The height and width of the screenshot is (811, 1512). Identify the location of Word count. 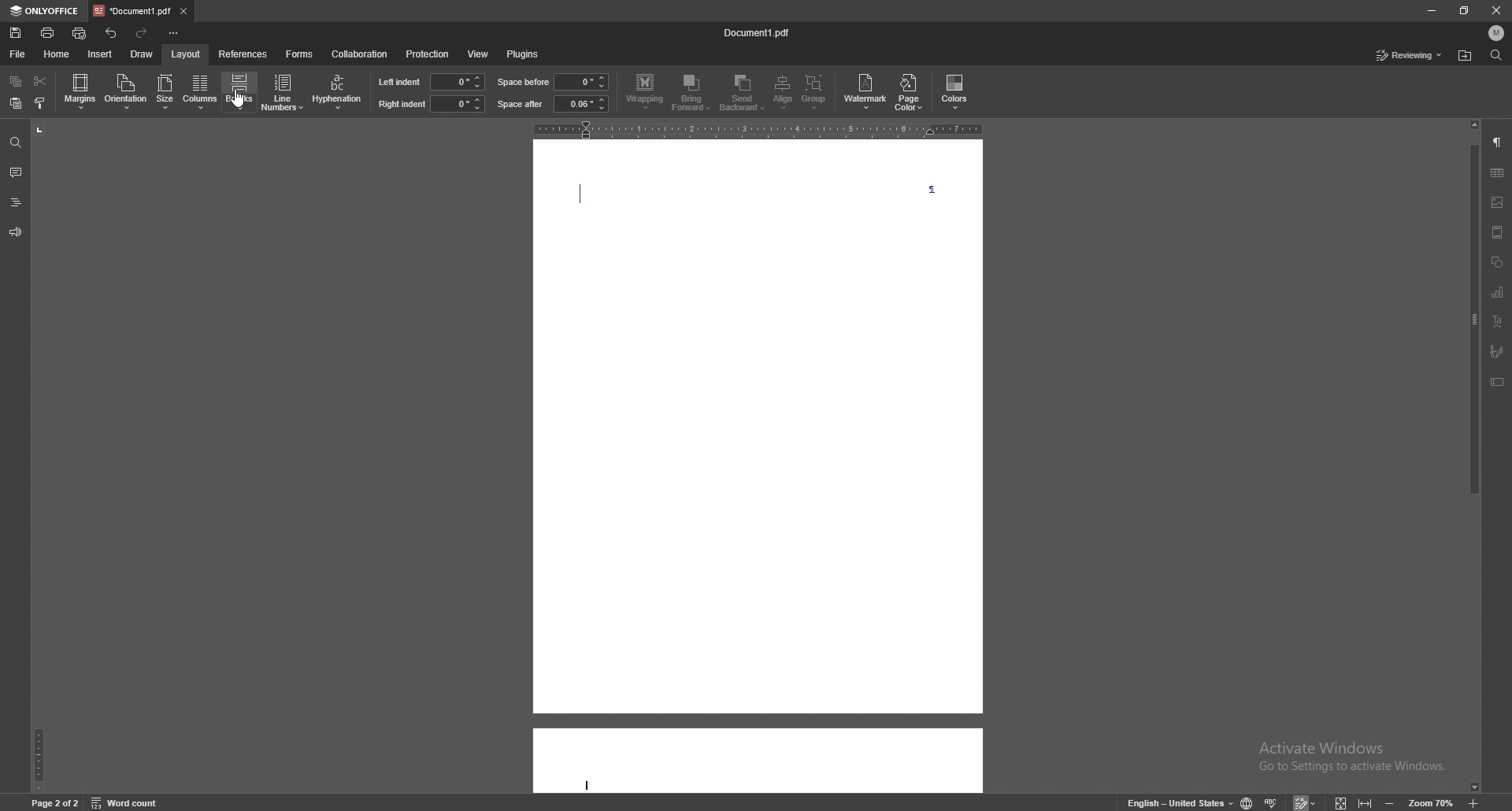
(135, 802).